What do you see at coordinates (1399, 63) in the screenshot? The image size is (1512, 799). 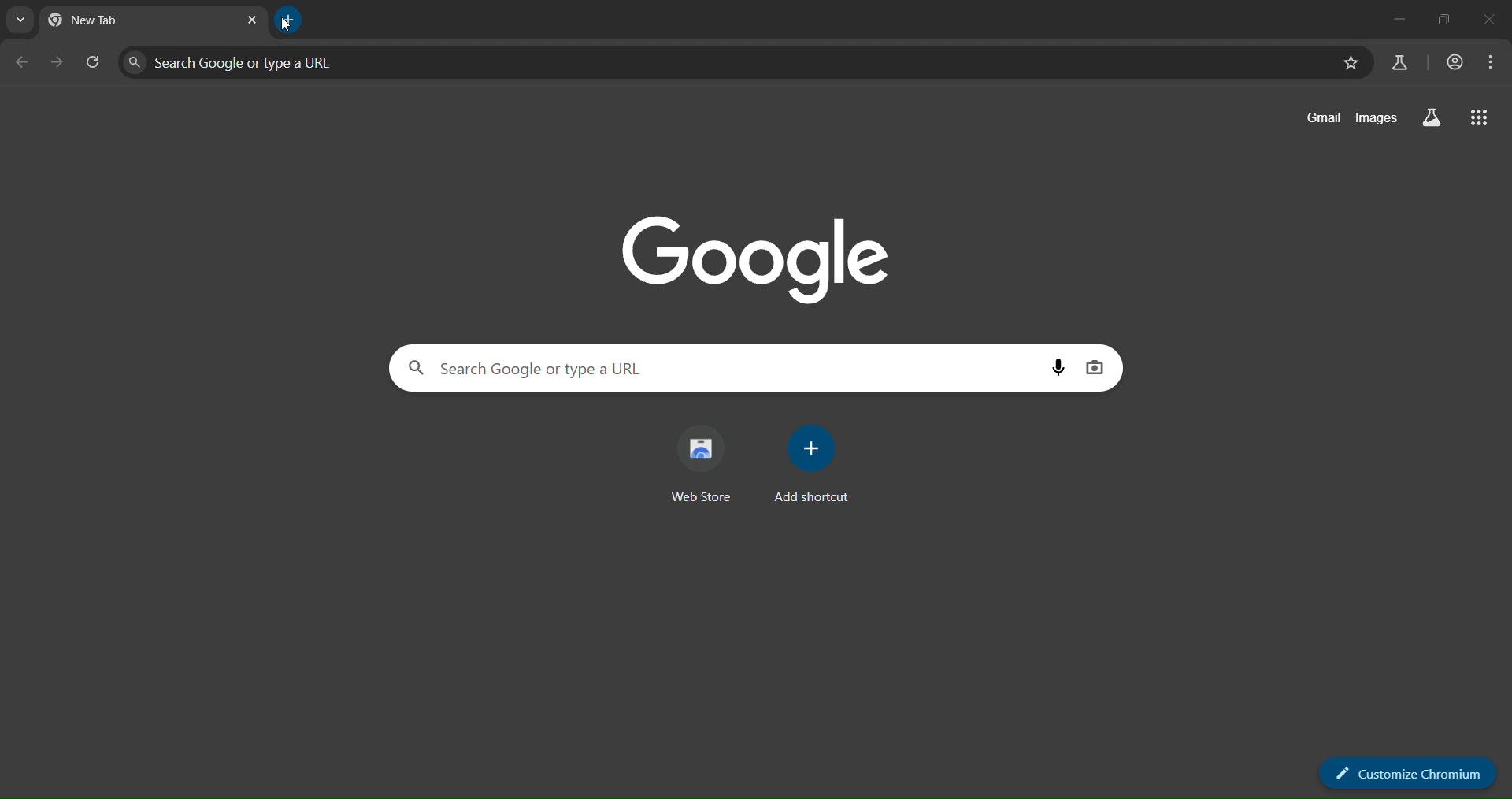 I see `search labs` at bounding box center [1399, 63].